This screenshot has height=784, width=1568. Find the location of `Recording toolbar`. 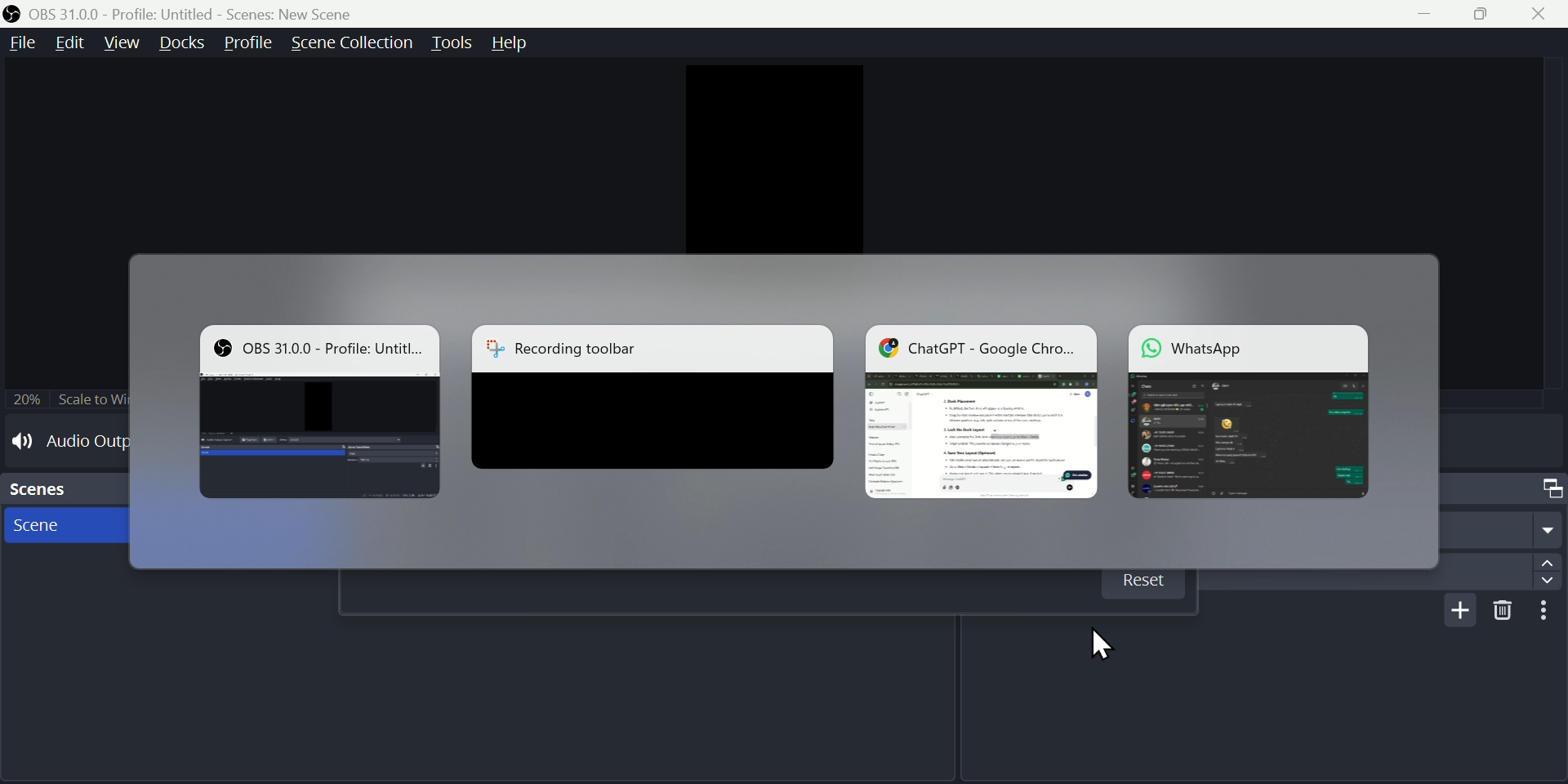

Recording toolbar is located at coordinates (653, 400).